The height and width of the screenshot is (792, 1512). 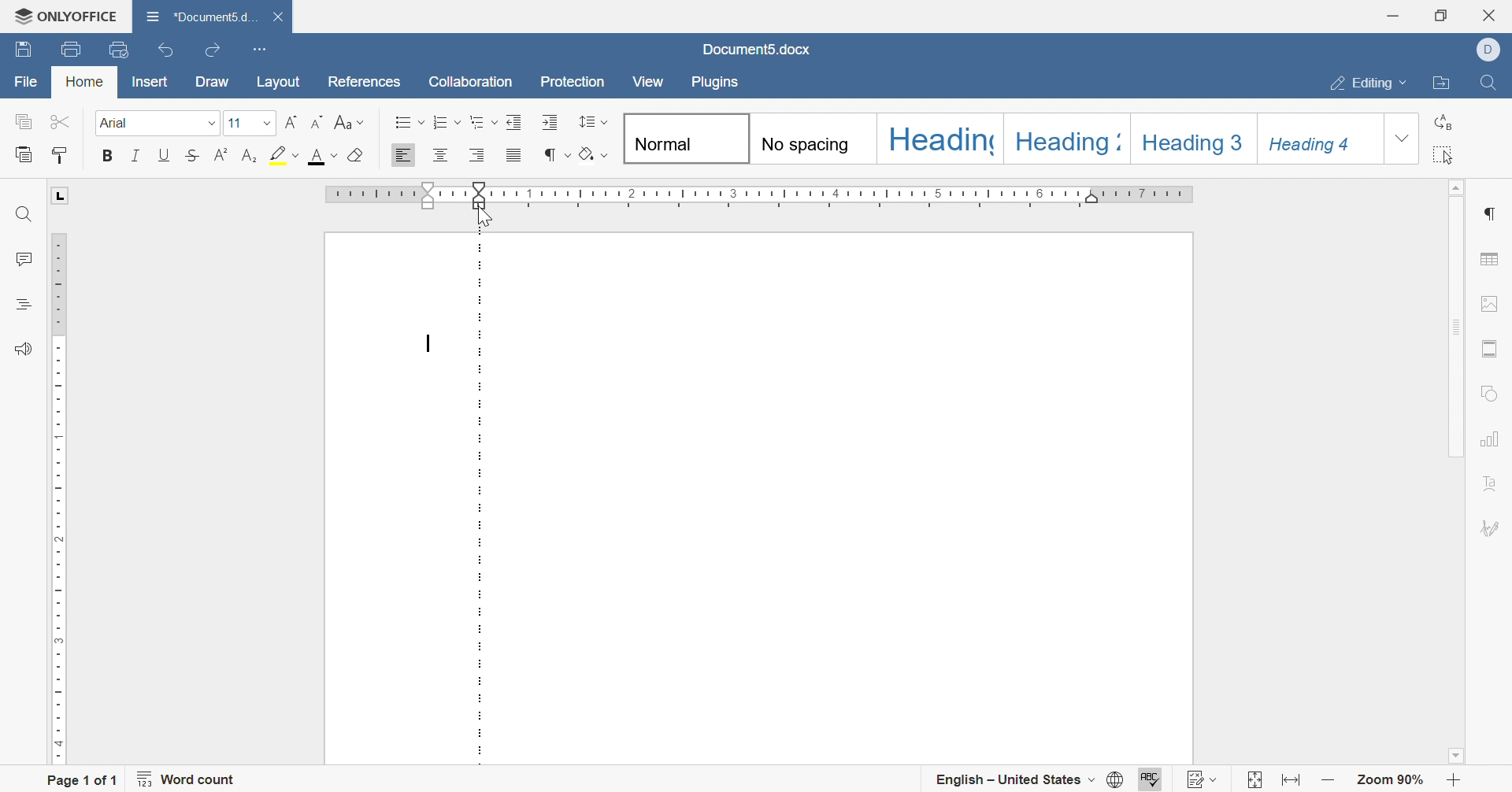 What do you see at coordinates (409, 122) in the screenshot?
I see `bullets` at bounding box center [409, 122].